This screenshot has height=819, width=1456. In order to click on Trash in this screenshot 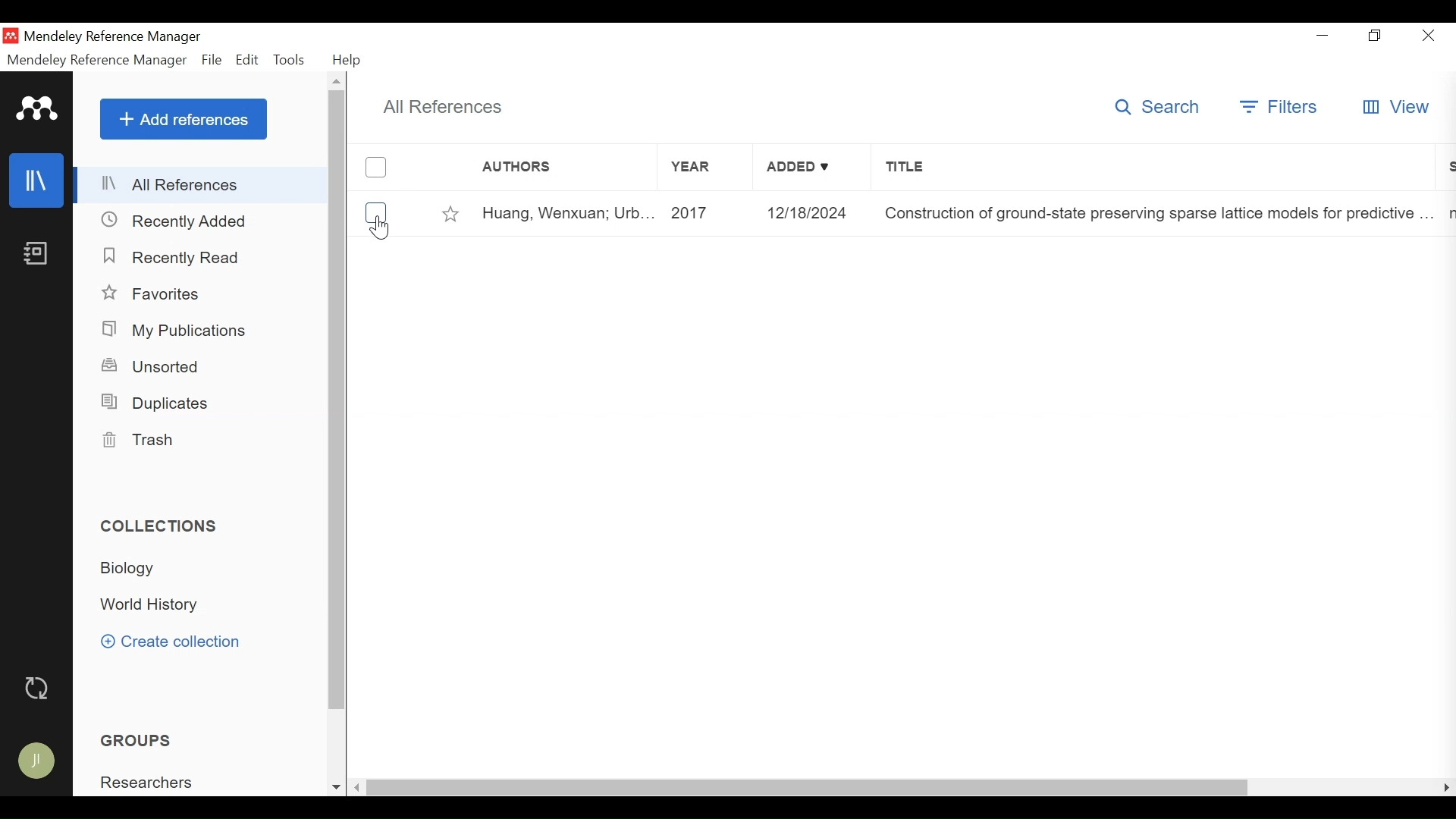, I will do `click(139, 440)`.